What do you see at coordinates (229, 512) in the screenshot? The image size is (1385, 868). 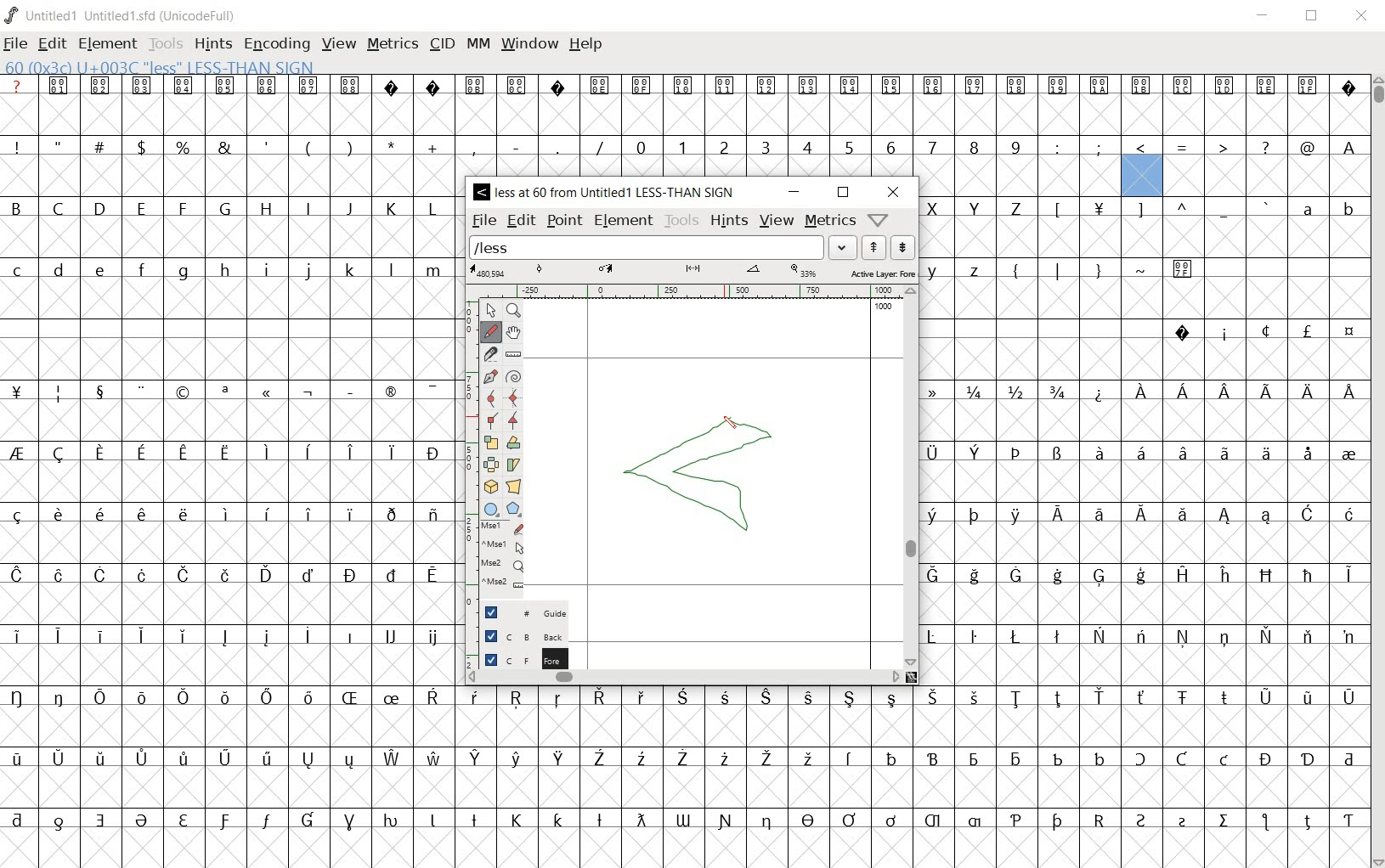 I see `special letters` at bounding box center [229, 512].